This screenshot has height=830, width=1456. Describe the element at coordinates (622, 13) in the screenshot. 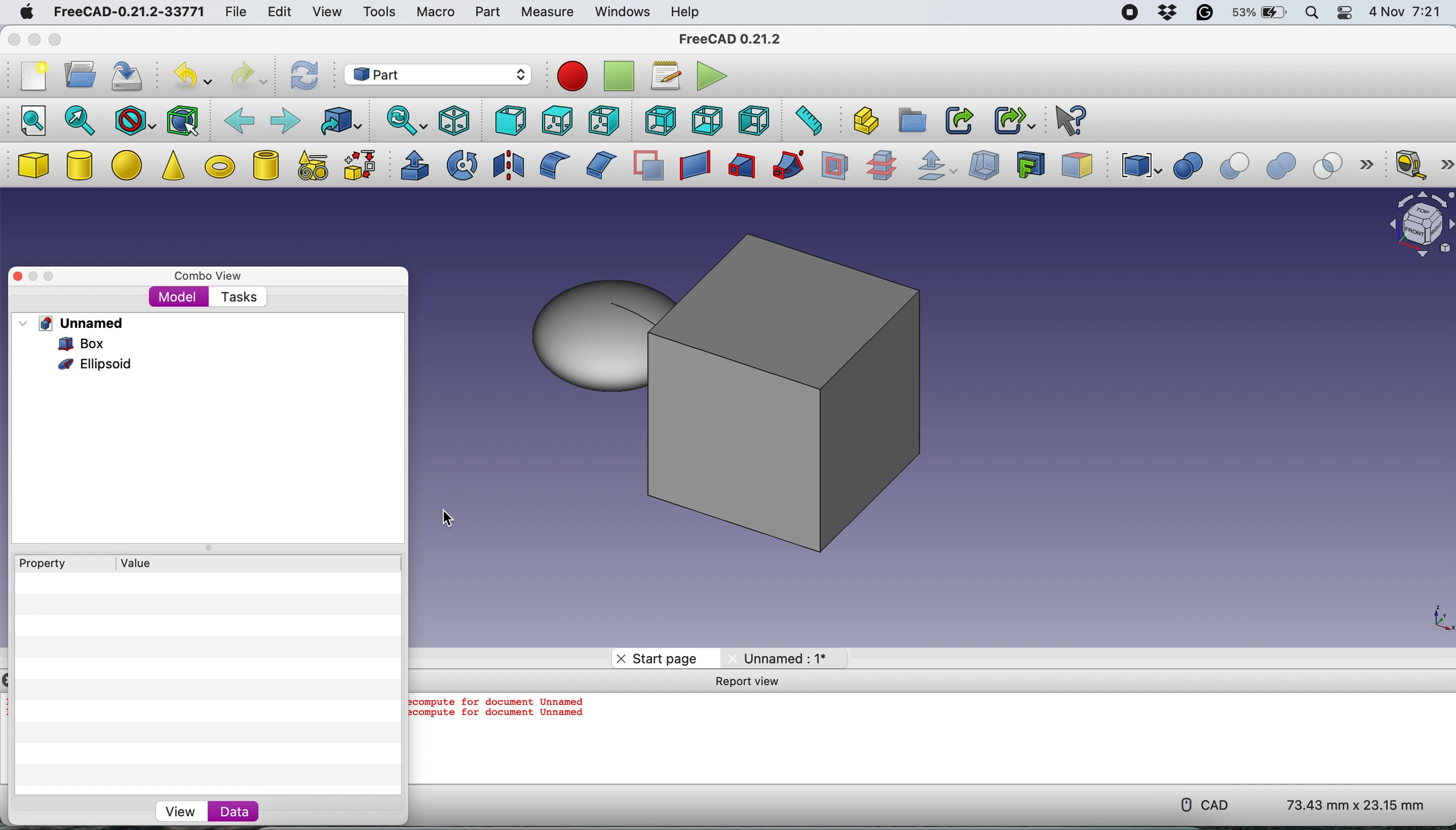

I see `windows` at that location.